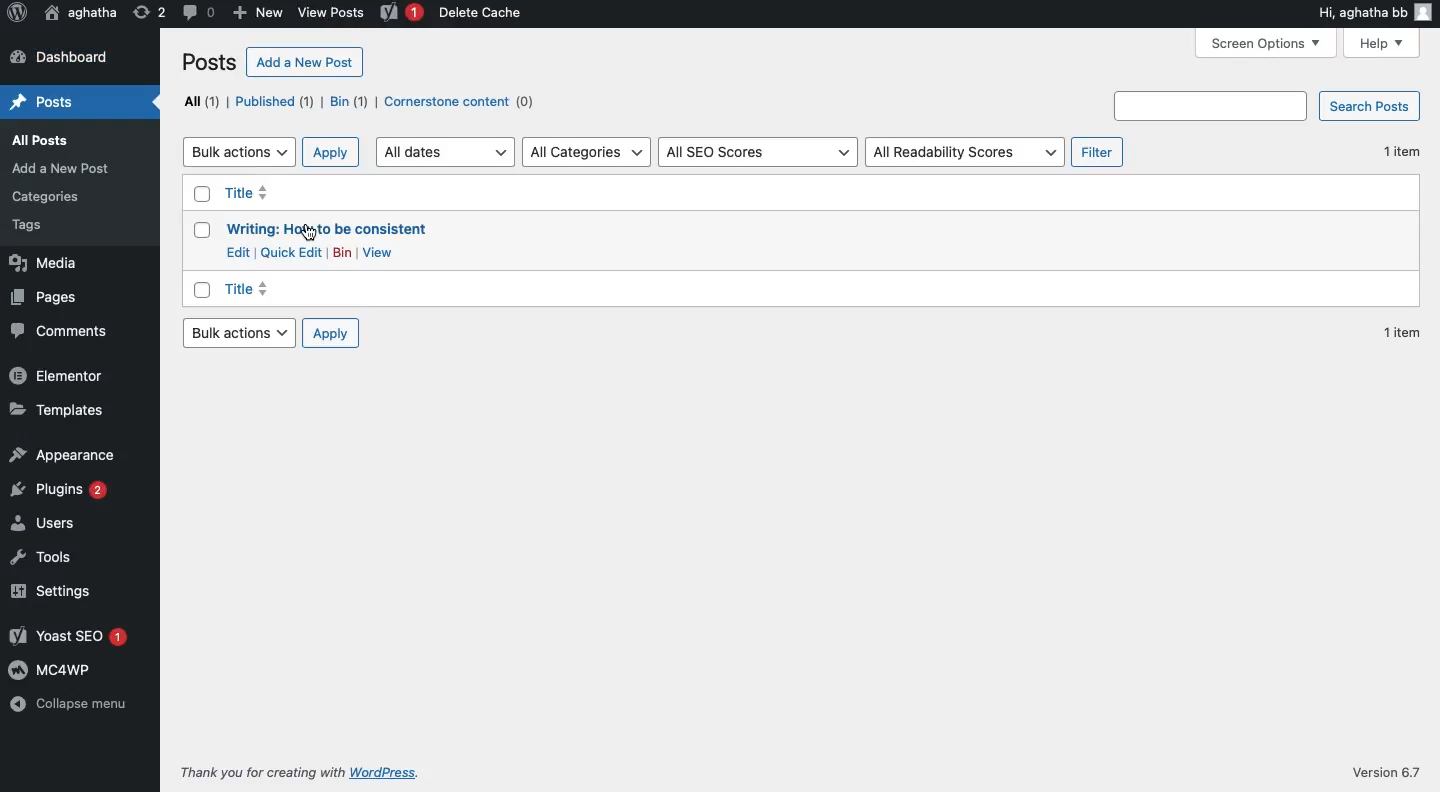  What do you see at coordinates (586, 153) in the screenshot?
I see `All Categories` at bounding box center [586, 153].